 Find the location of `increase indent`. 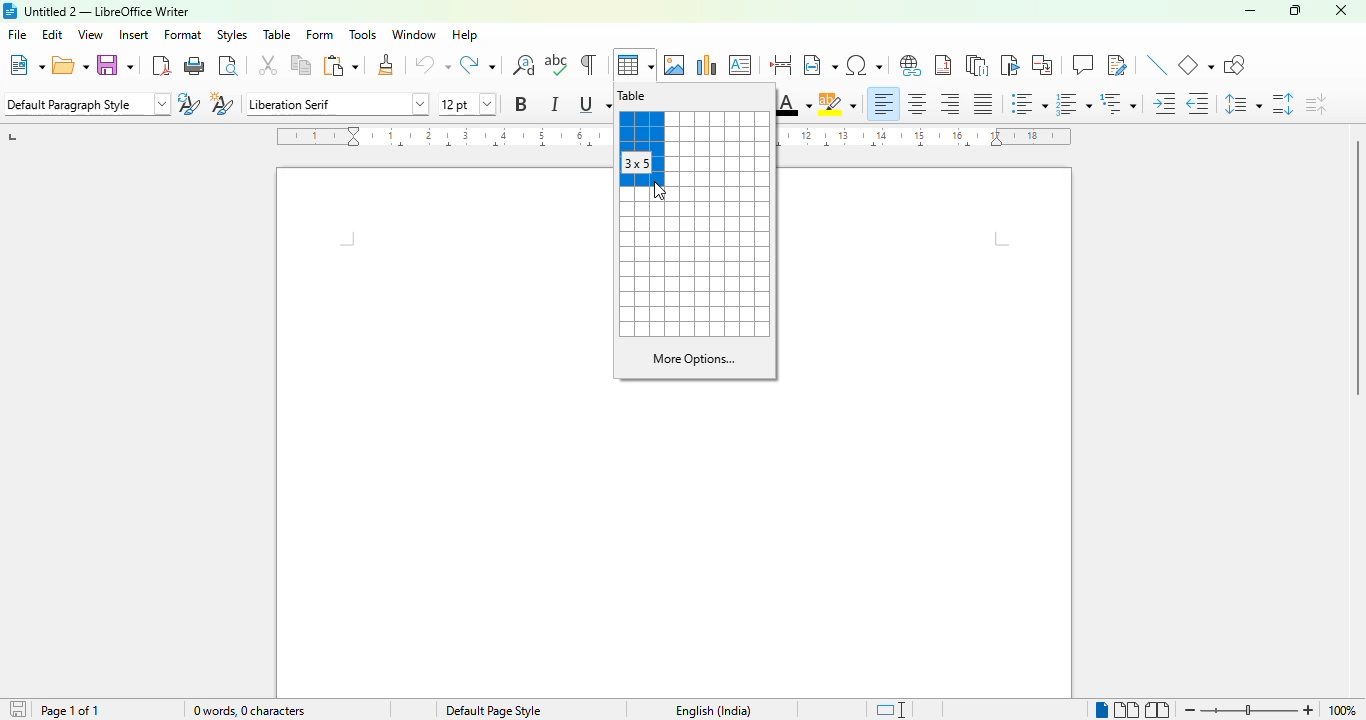

increase indent is located at coordinates (1164, 103).